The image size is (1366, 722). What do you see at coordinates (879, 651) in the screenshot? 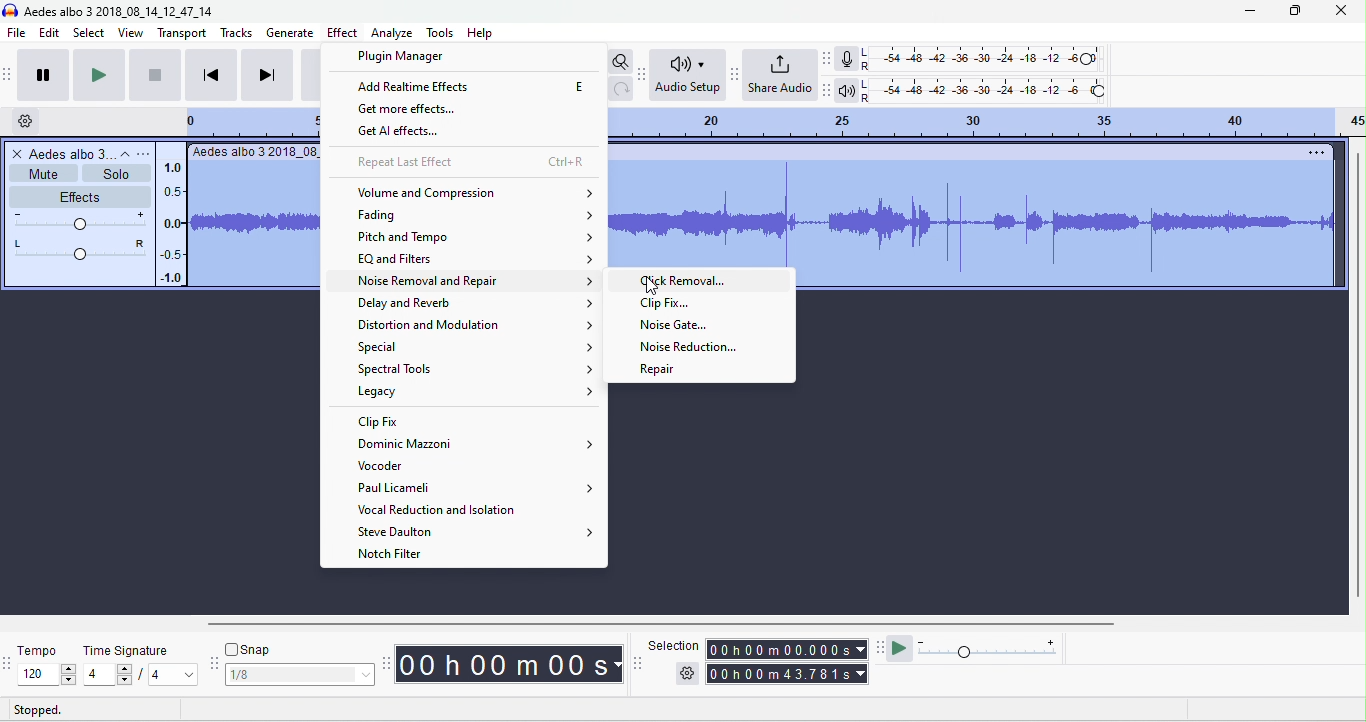
I see `play at speed tool bra` at bounding box center [879, 651].